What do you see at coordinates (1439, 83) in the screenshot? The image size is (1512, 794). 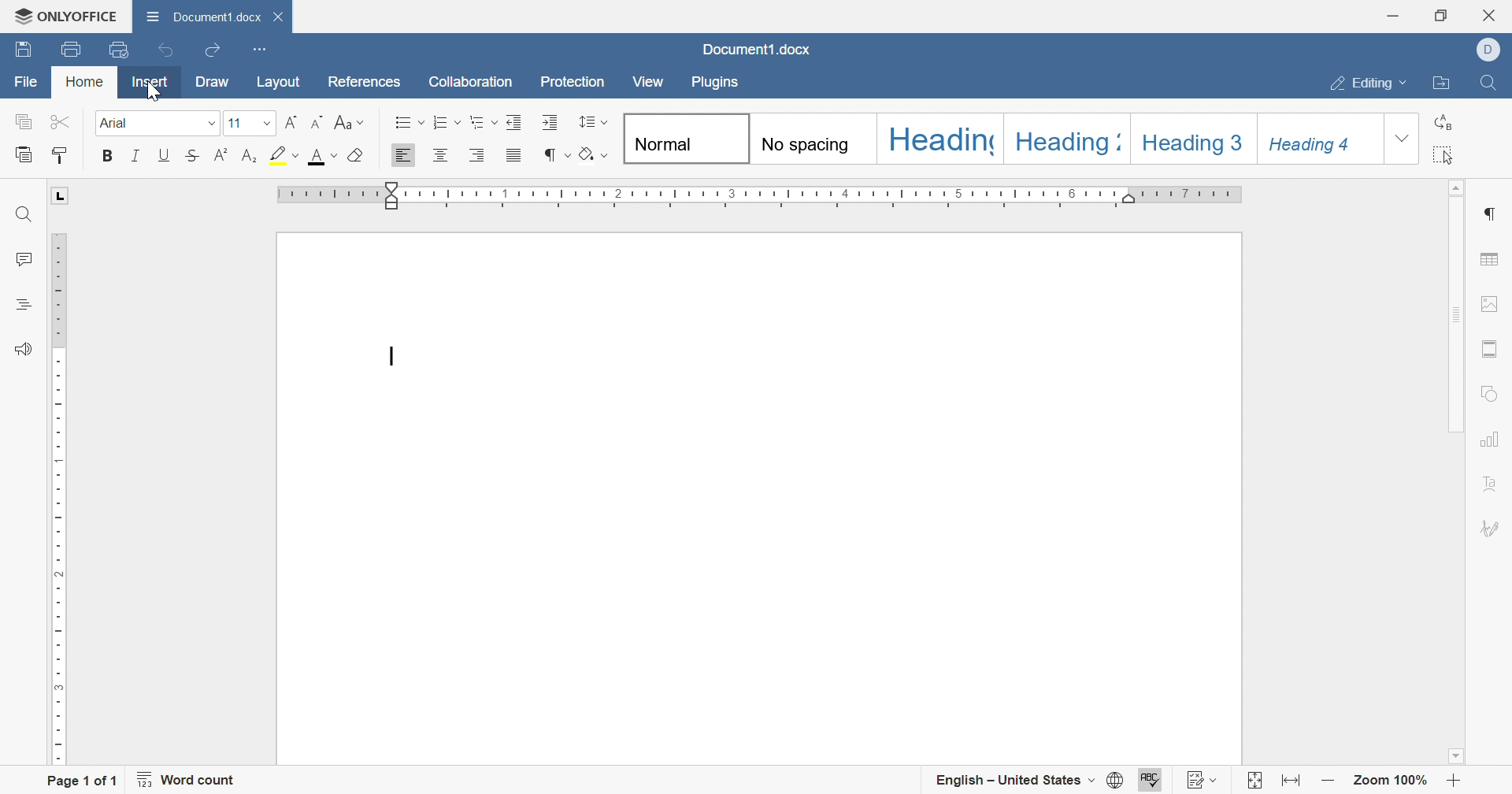 I see `Open file location` at bounding box center [1439, 83].